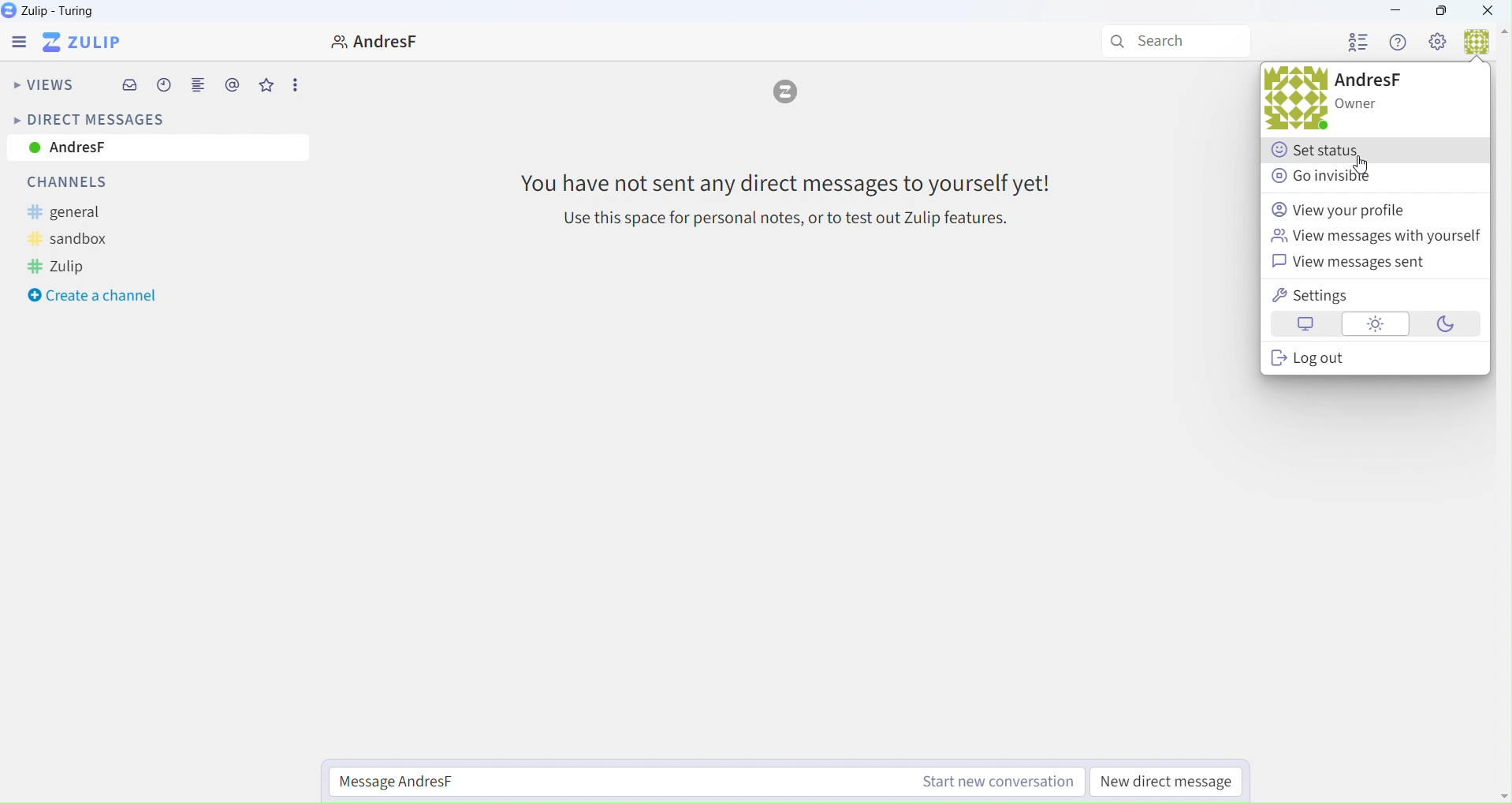 The height and width of the screenshot is (803, 1512). Describe the element at coordinates (82, 239) in the screenshot. I see `sandbox` at that location.